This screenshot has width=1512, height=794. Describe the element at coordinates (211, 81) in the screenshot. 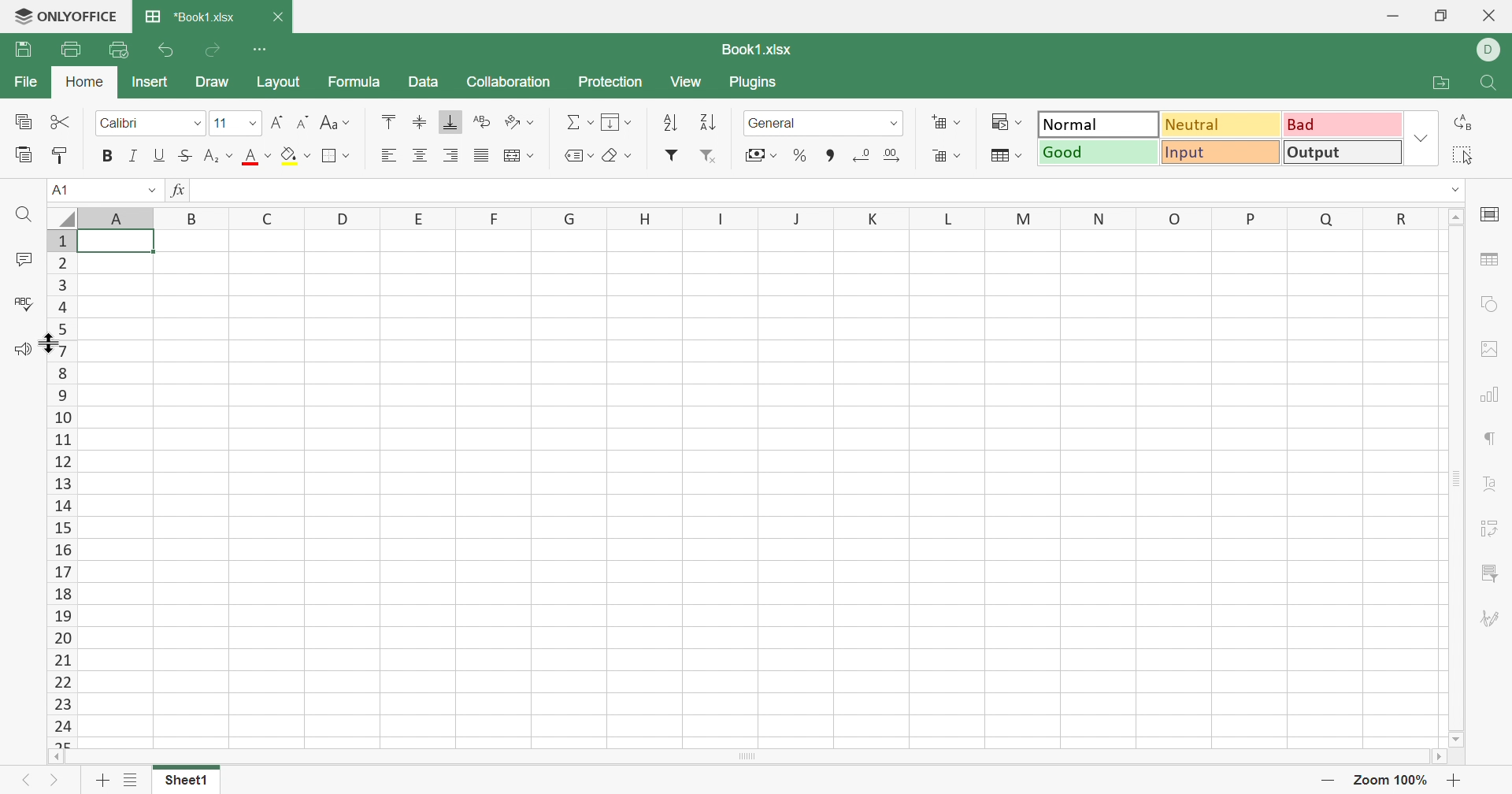

I see `Draw` at that location.